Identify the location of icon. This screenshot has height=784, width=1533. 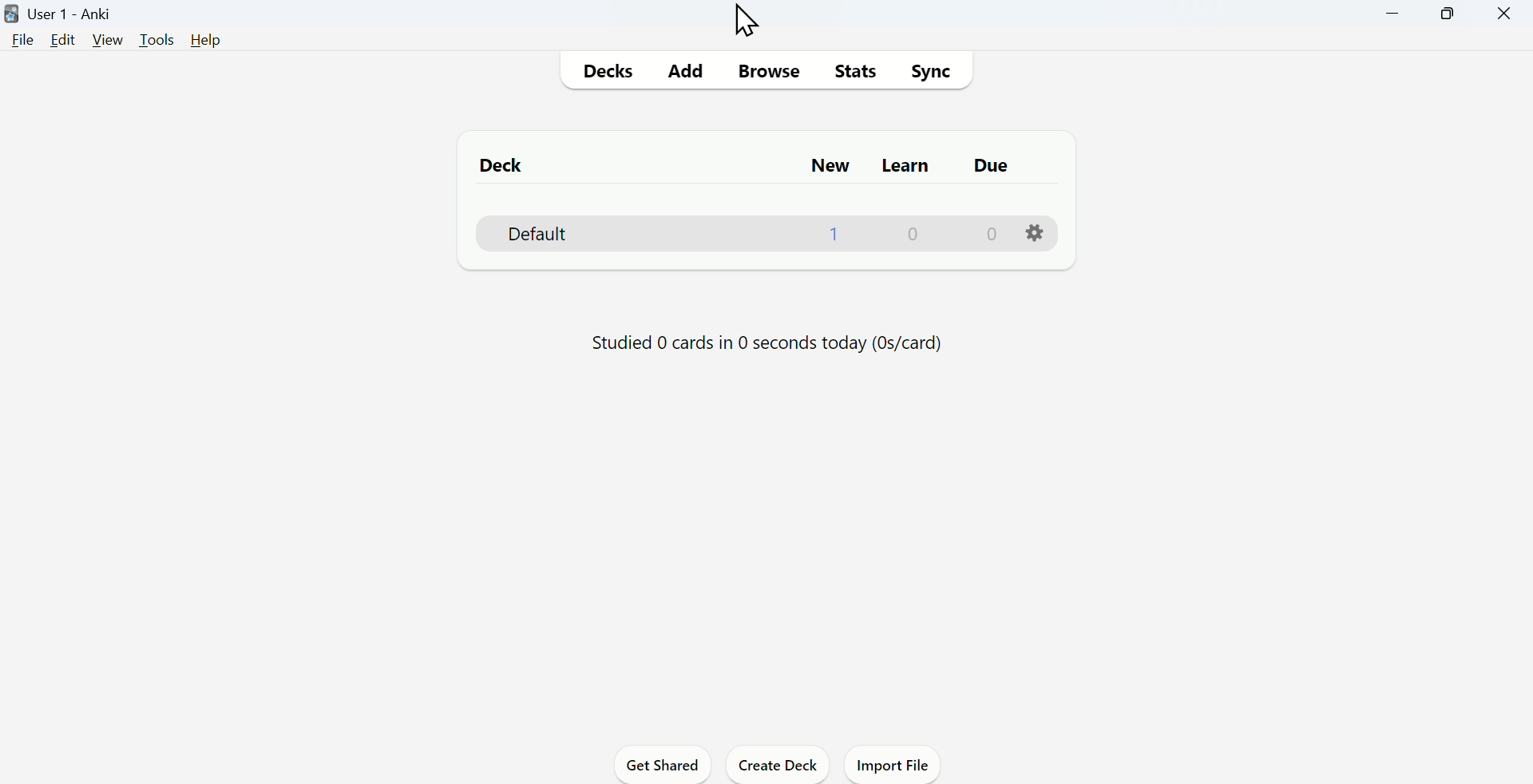
(10, 12).